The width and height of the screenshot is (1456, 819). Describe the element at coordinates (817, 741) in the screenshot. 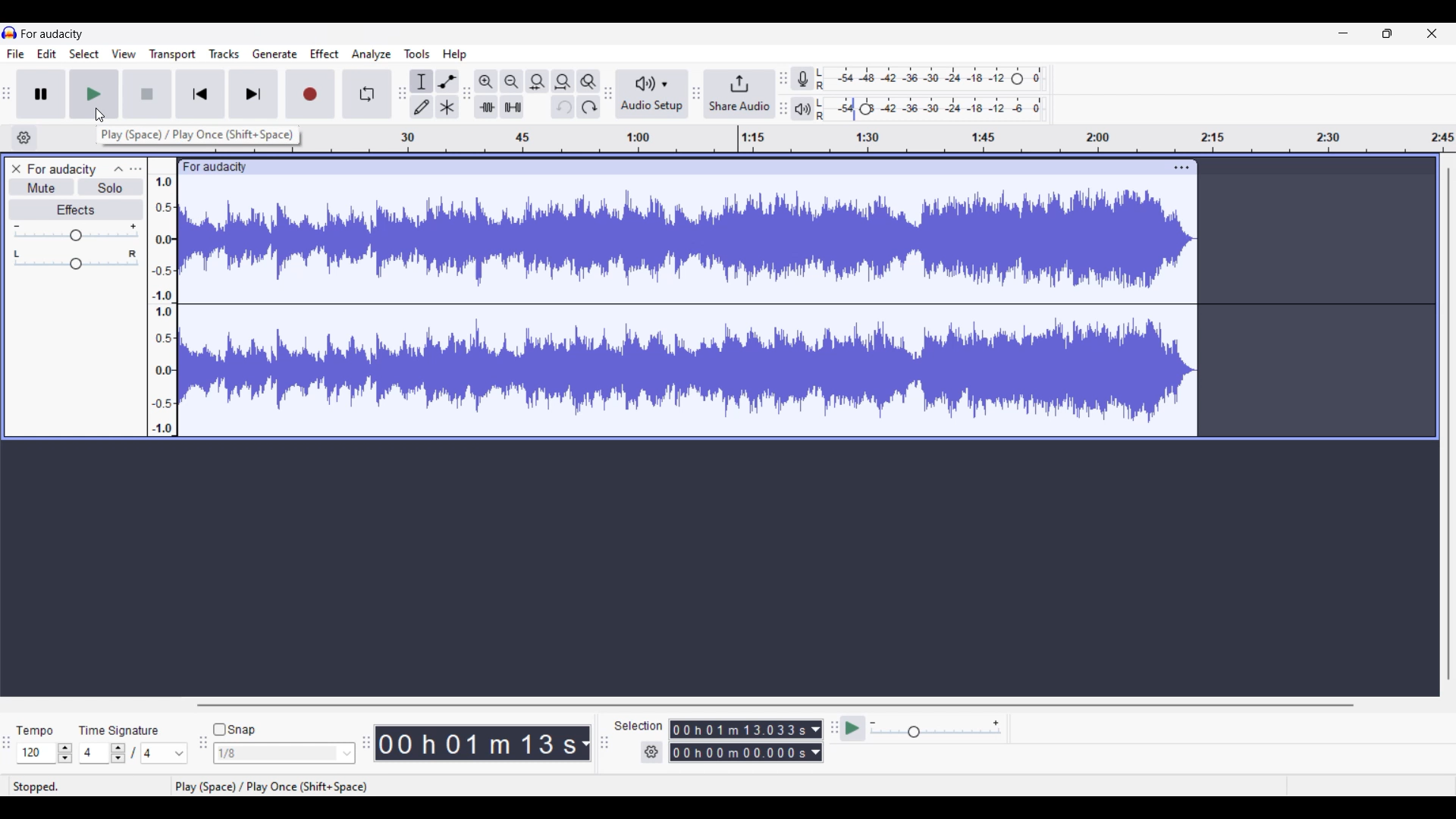

I see `Duration measurement options ` at that location.